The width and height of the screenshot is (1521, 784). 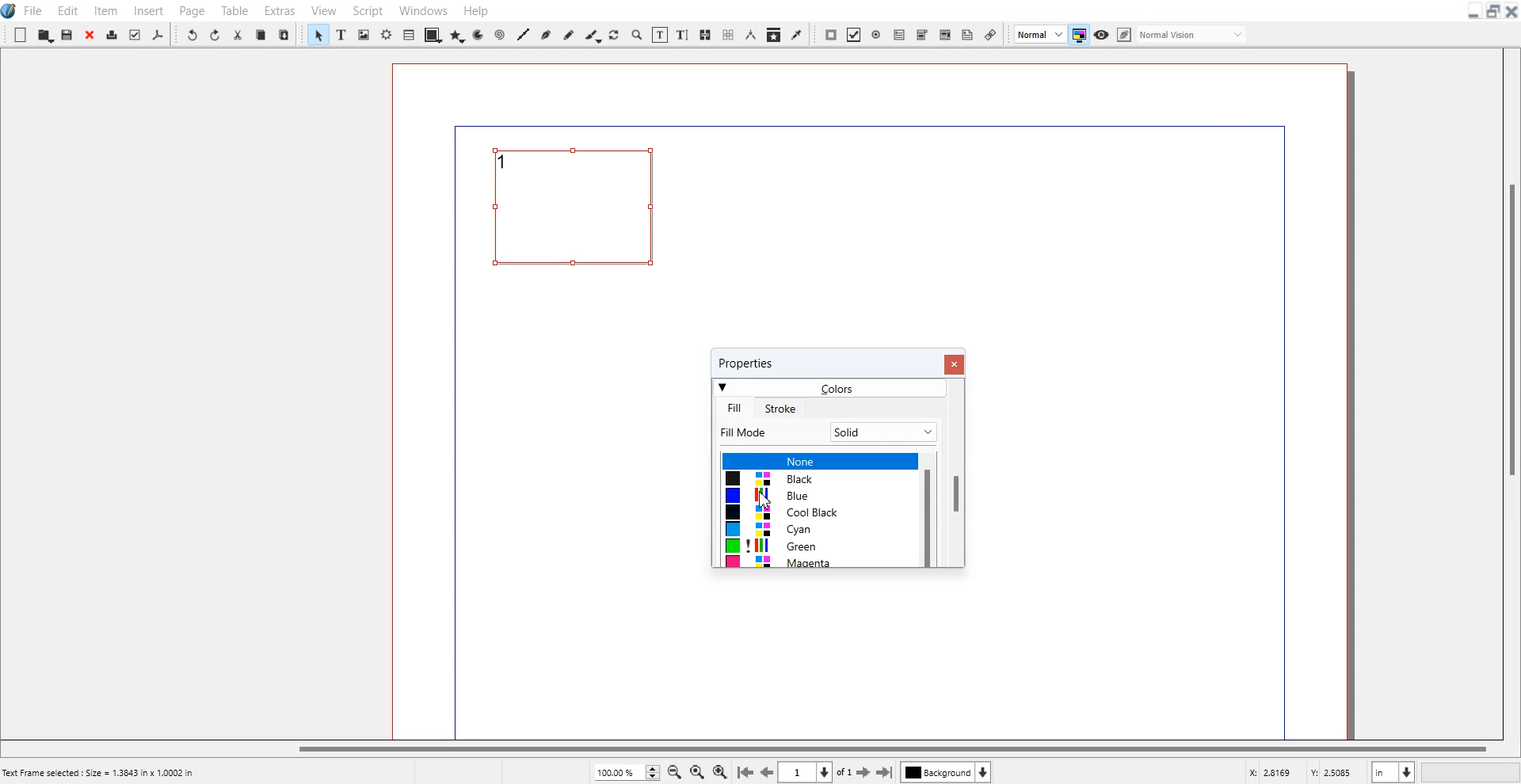 I want to click on Go to first Page, so click(x=745, y=773).